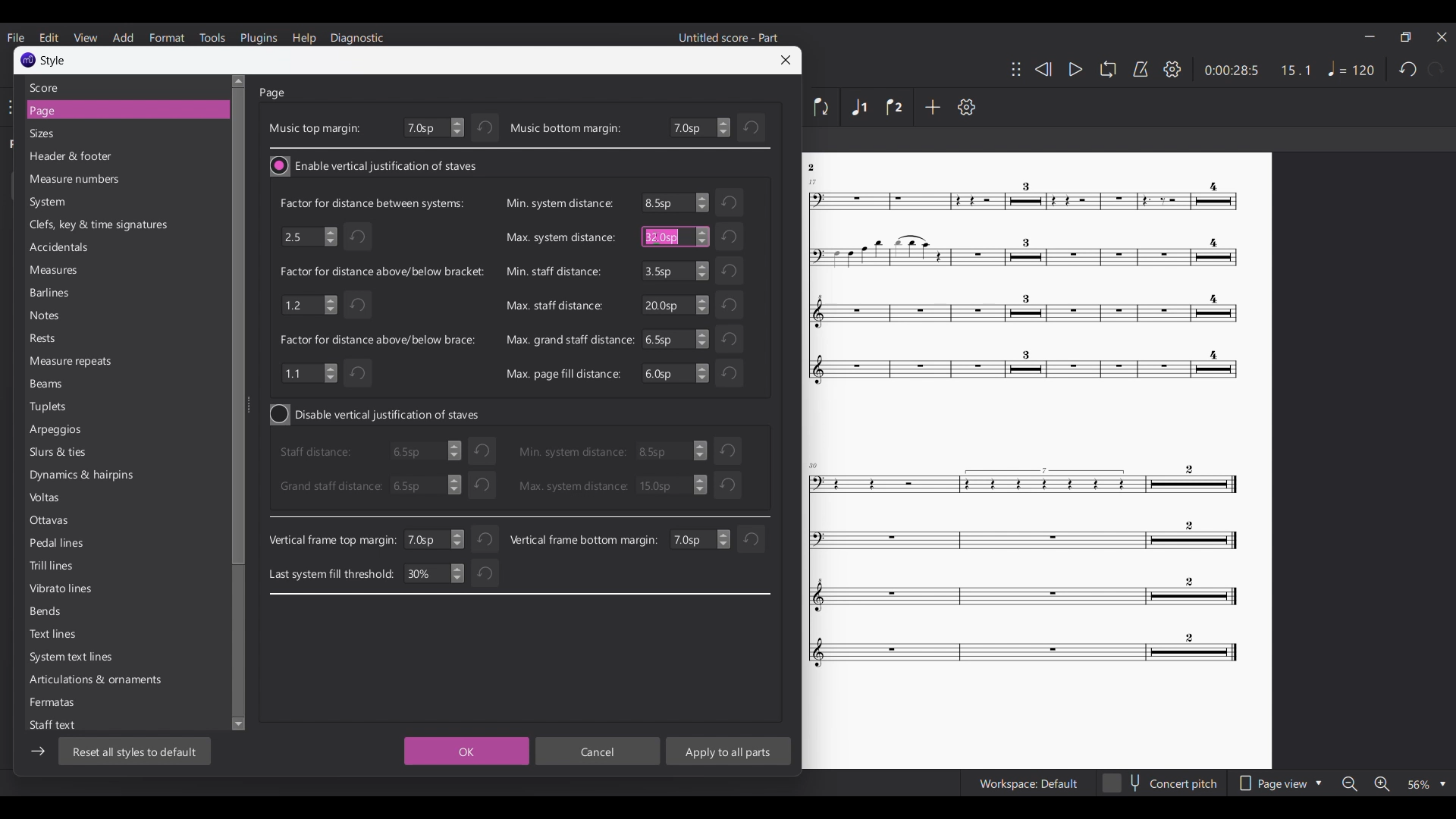 This screenshot has height=819, width=1456. Describe the element at coordinates (92, 273) in the screenshot. I see `Meaures` at that location.